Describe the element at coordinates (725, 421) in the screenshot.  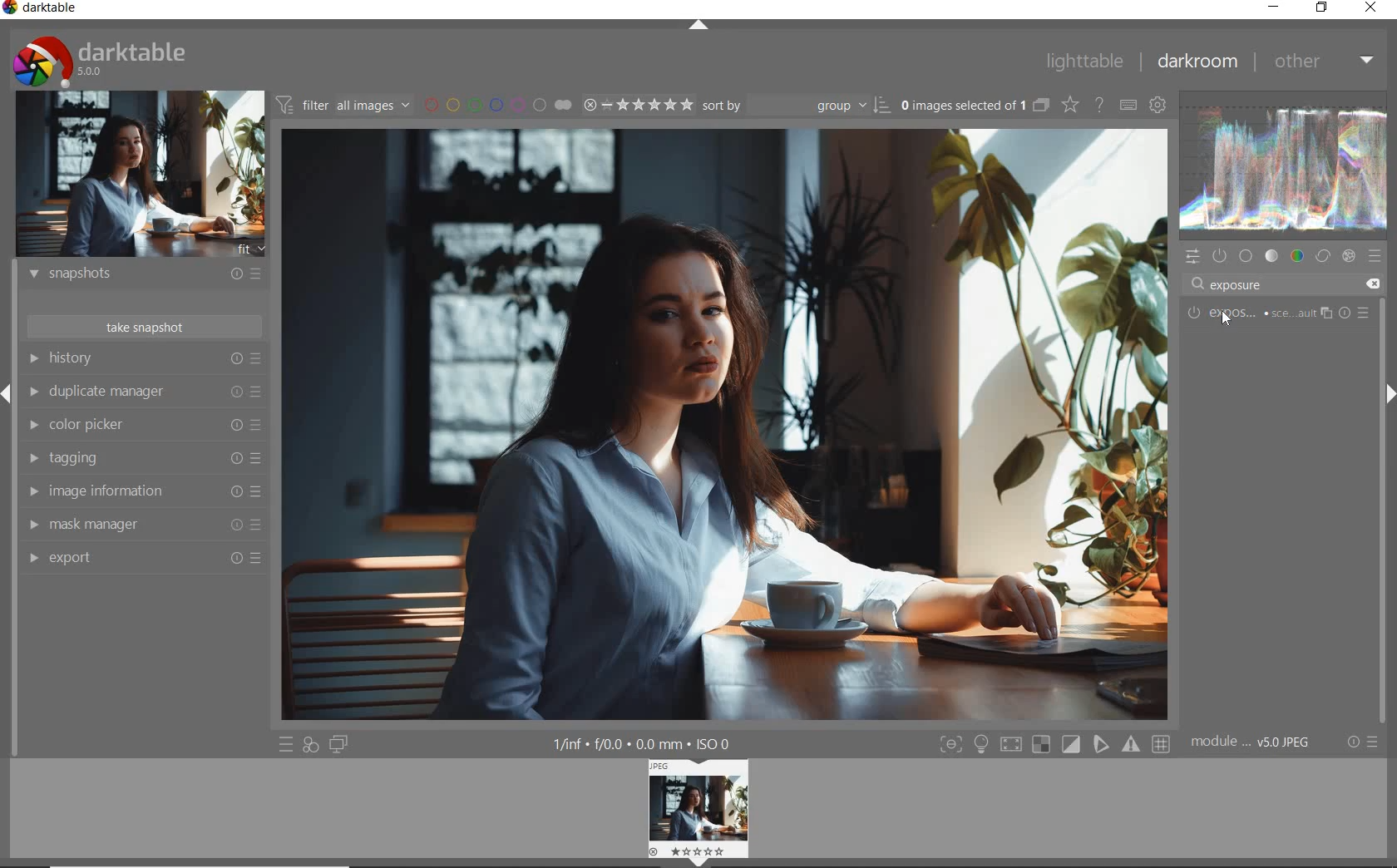
I see `selected image` at that location.